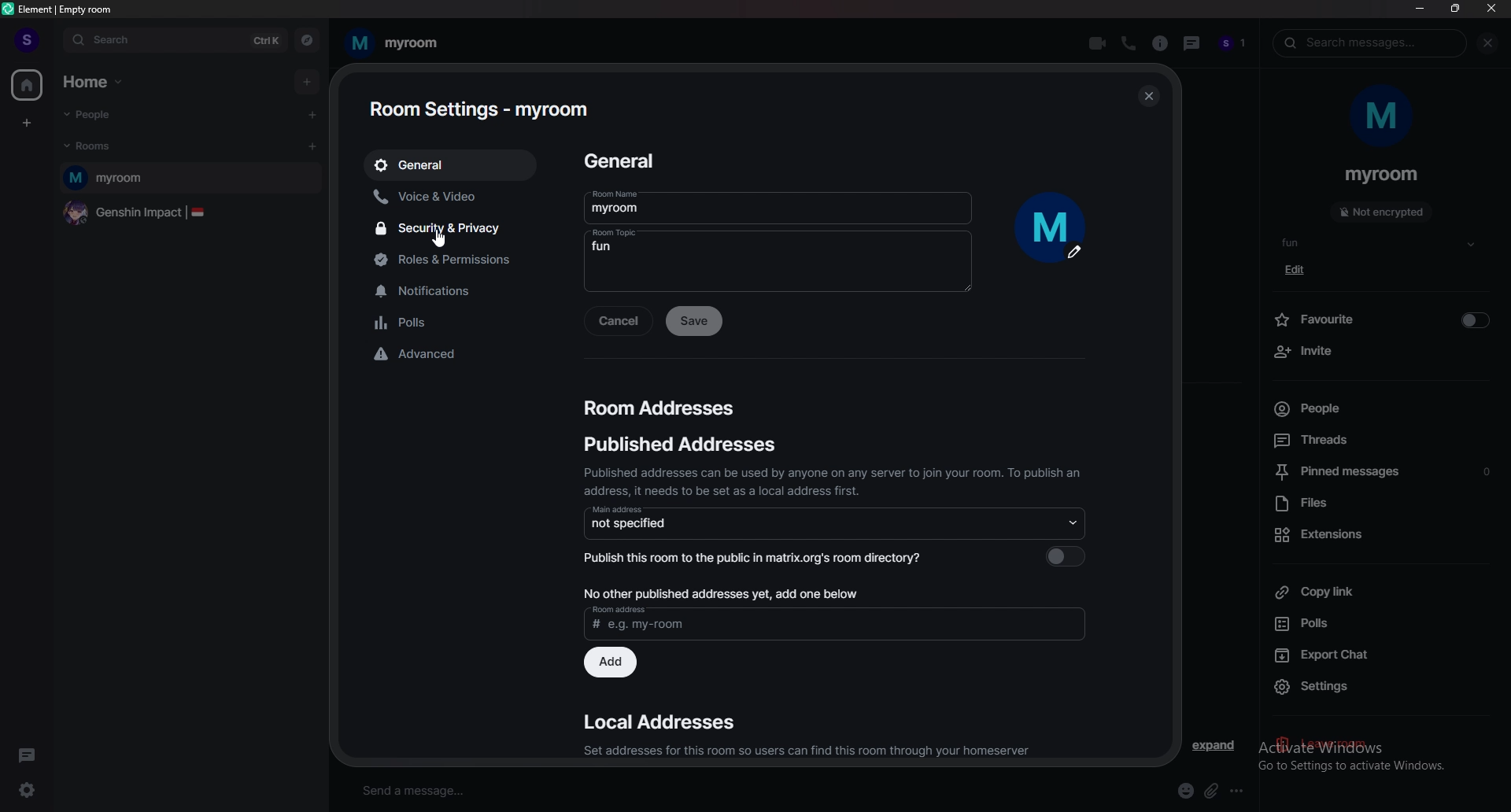 The width and height of the screenshot is (1511, 812). What do you see at coordinates (1384, 352) in the screenshot?
I see `invite` at bounding box center [1384, 352].